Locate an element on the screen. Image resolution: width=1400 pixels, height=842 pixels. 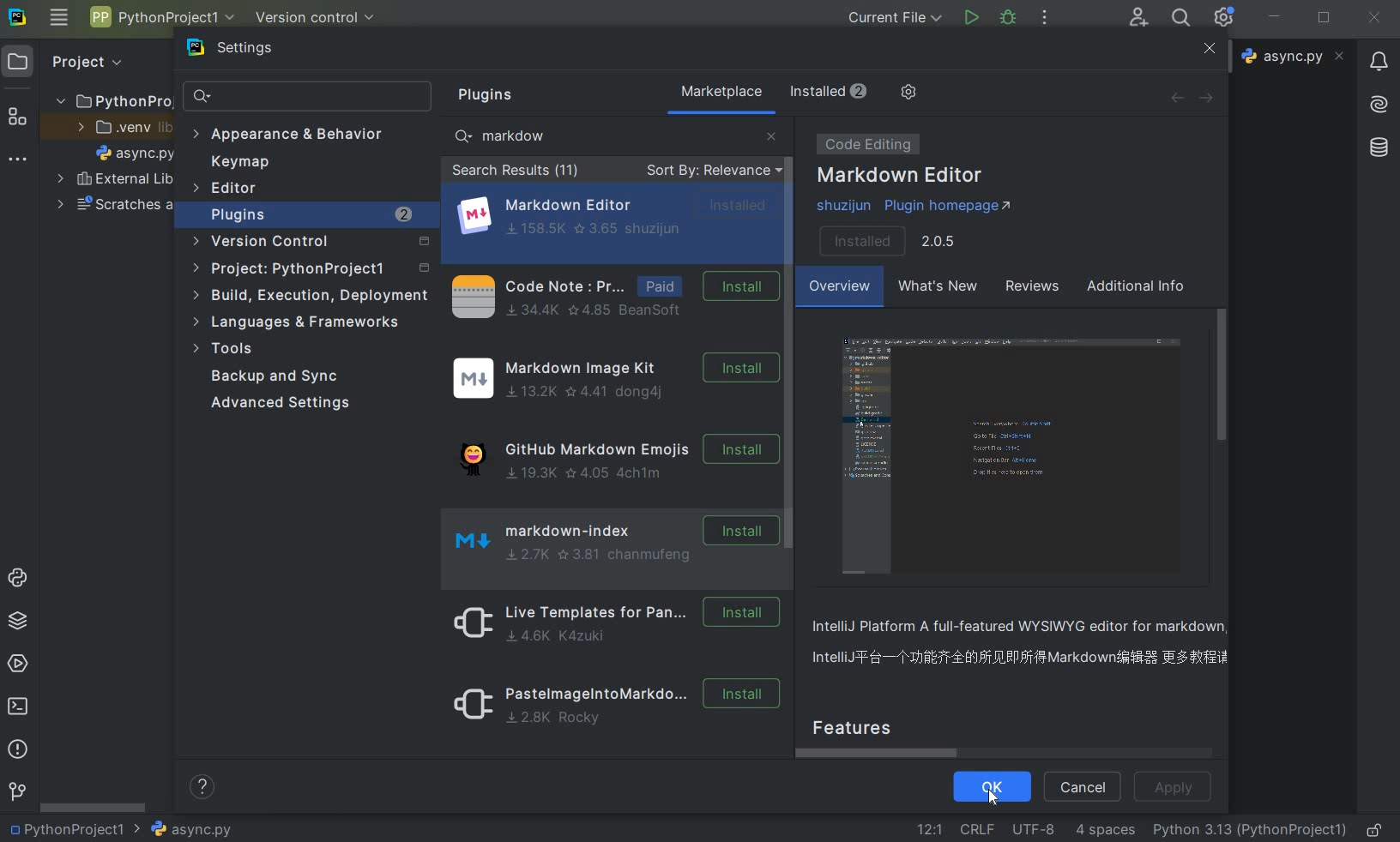
build, execution, deployment is located at coordinates (311, 297).